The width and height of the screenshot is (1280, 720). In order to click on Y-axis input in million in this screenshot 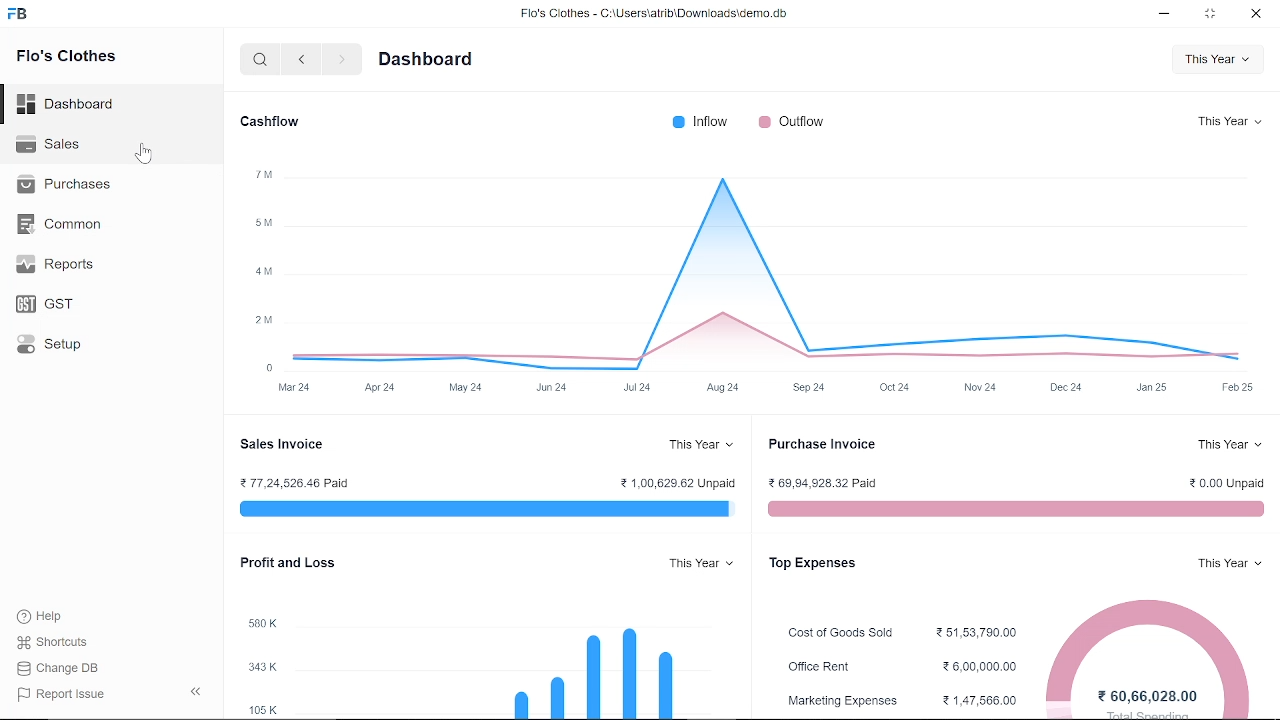, I will do `click(263, 267)`.